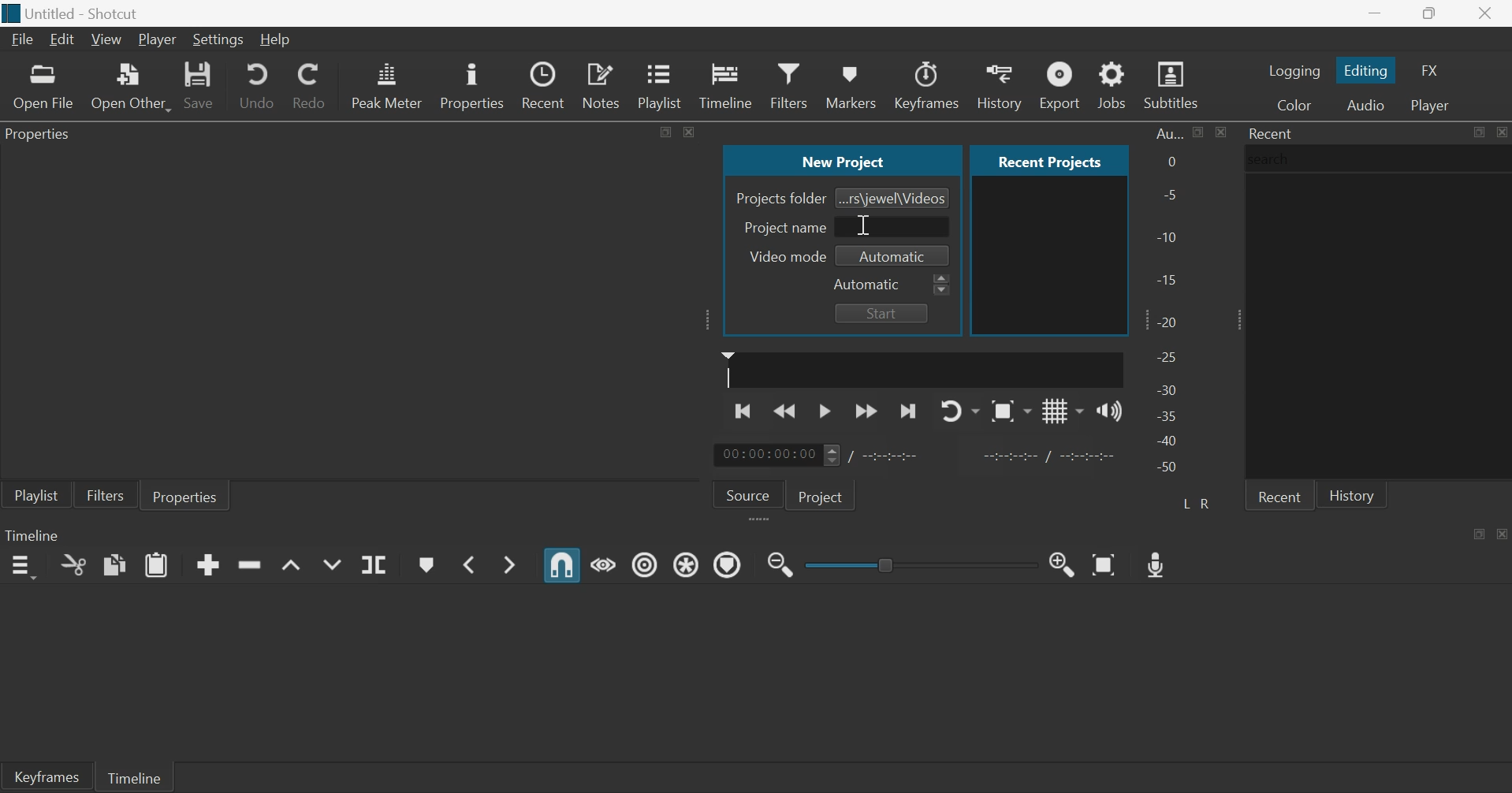  I want to click on New Project, so click(844, 159).